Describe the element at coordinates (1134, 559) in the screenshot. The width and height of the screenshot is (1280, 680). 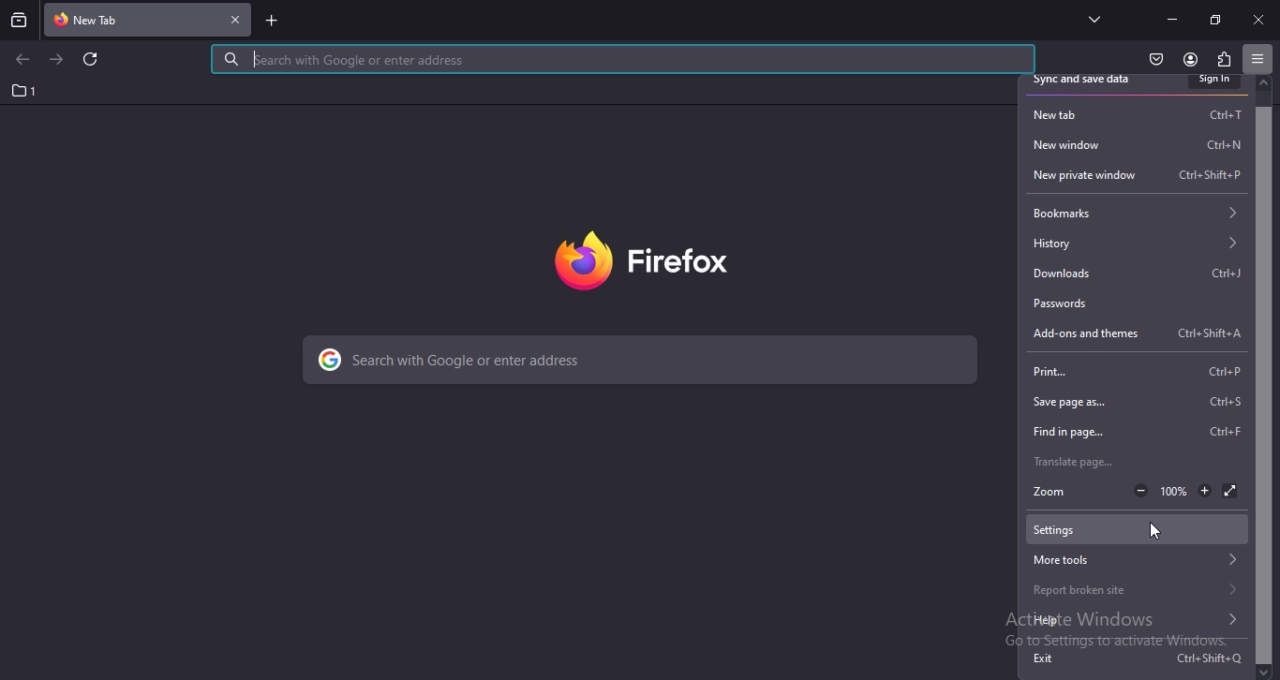
I see `more tools` at that location.